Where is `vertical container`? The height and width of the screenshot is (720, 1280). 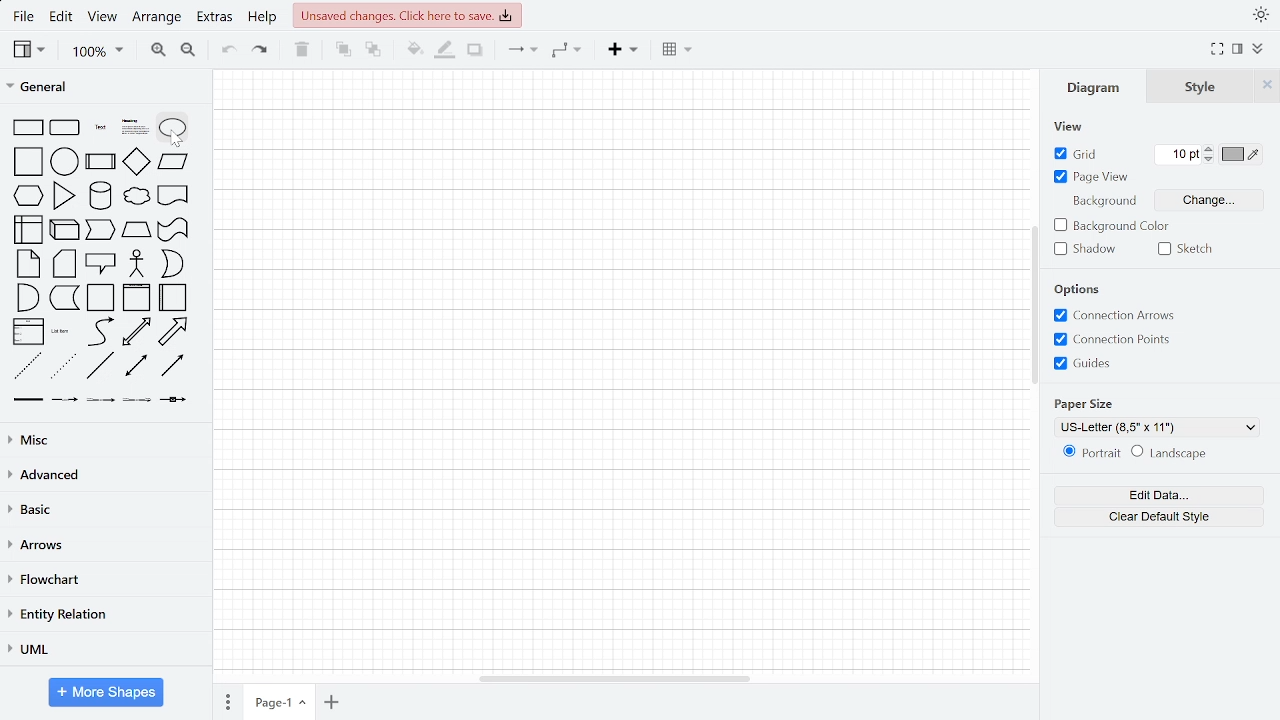 vertical container is located at coordinates (136, 298).